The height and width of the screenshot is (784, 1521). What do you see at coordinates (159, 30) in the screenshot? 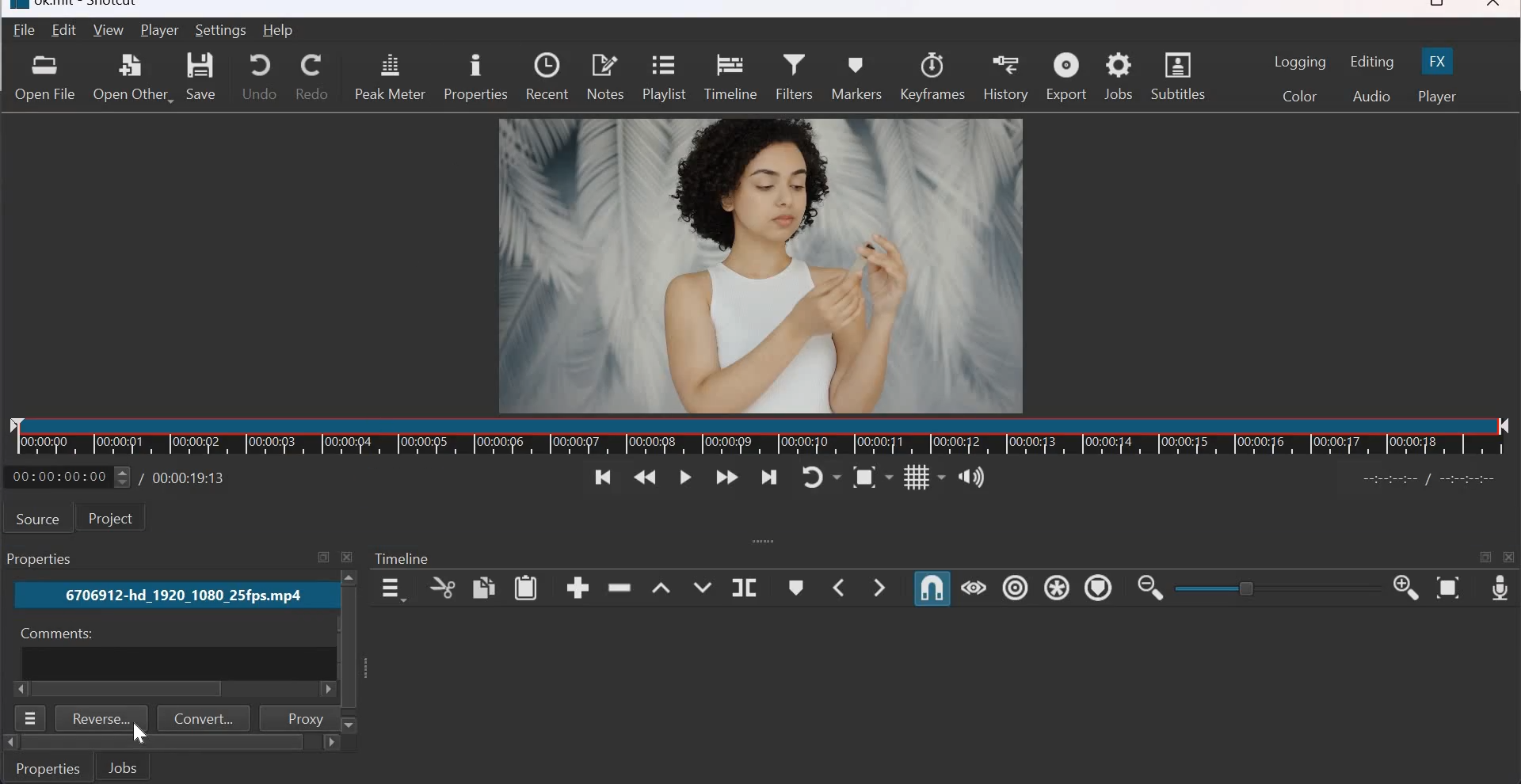
I see `Player` at bounding box center [159, 30].